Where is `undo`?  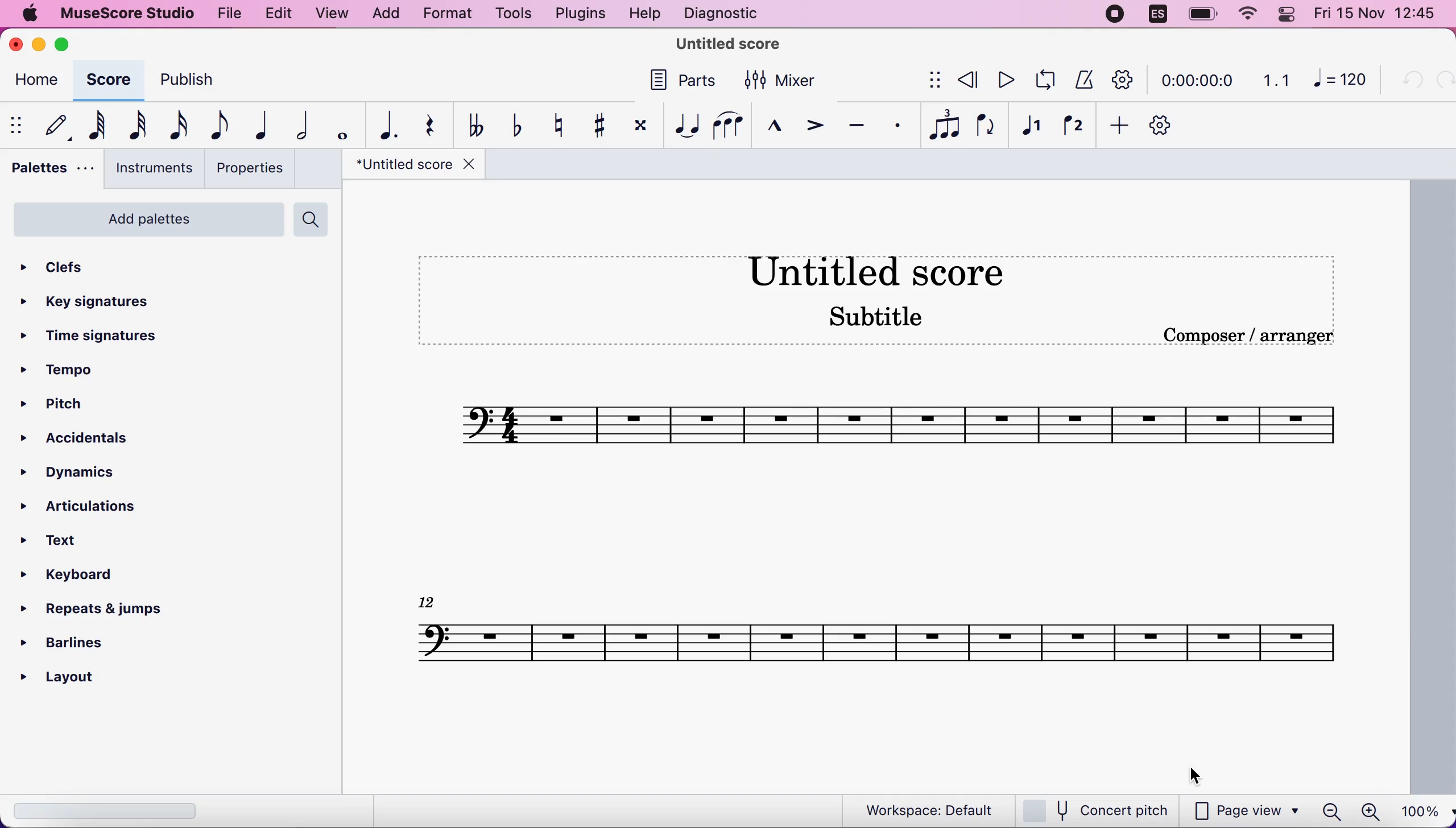
undo is located at coordinates (1409, 80).